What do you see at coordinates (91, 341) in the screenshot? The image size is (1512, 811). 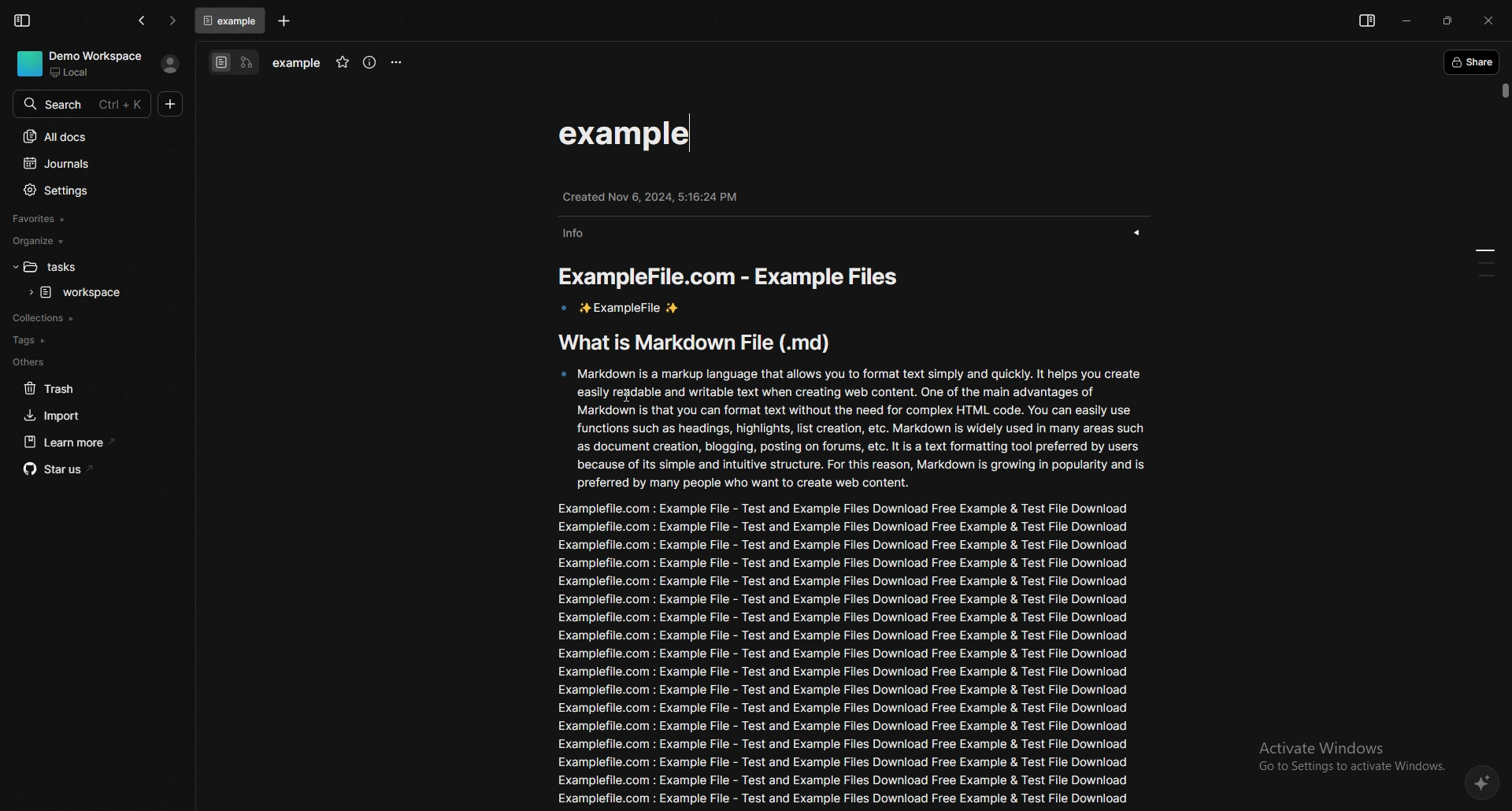 I see `tags` at bounding box center [91, 341].